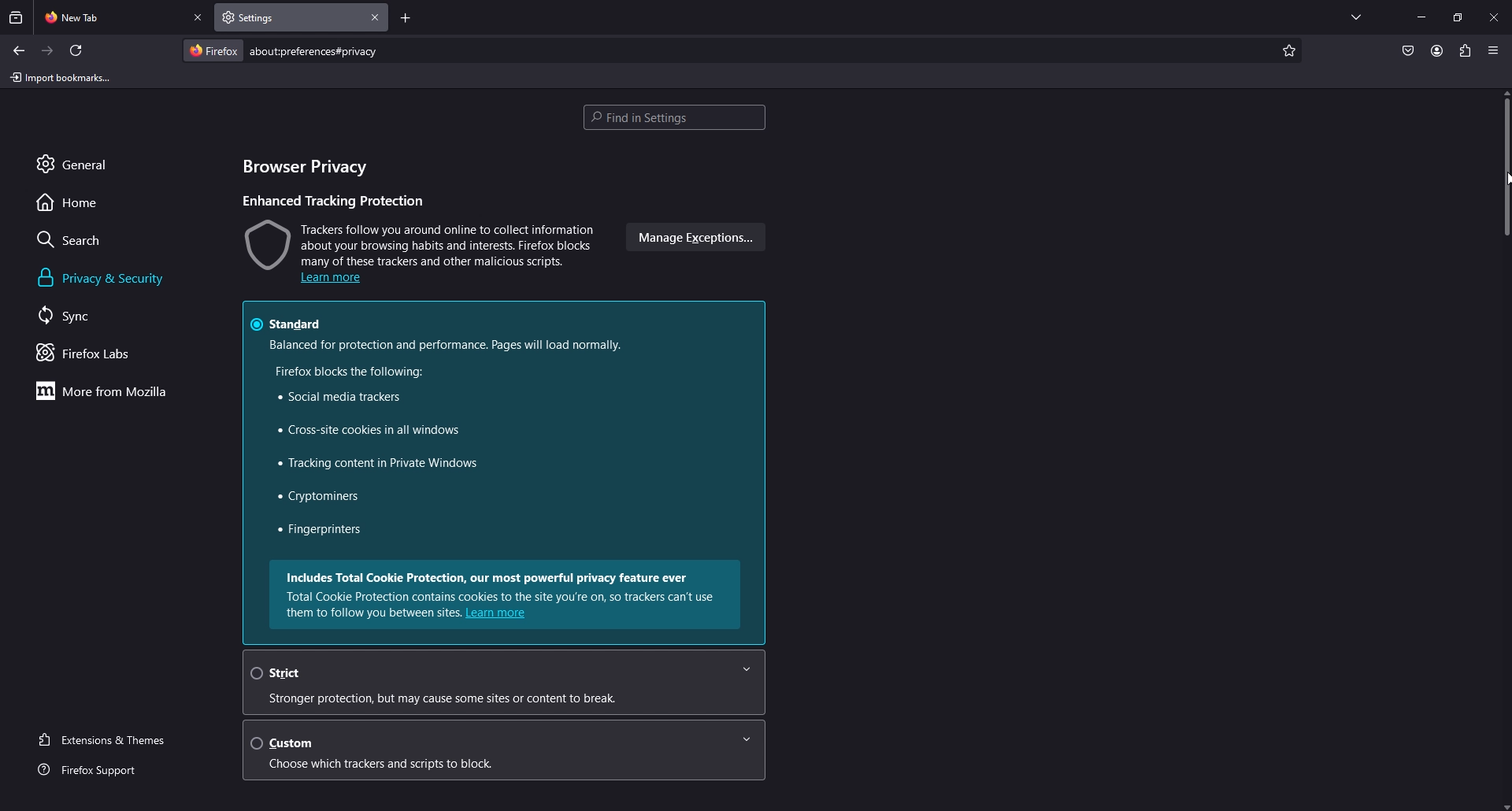  I want to click on refresh, so click(76, 50).